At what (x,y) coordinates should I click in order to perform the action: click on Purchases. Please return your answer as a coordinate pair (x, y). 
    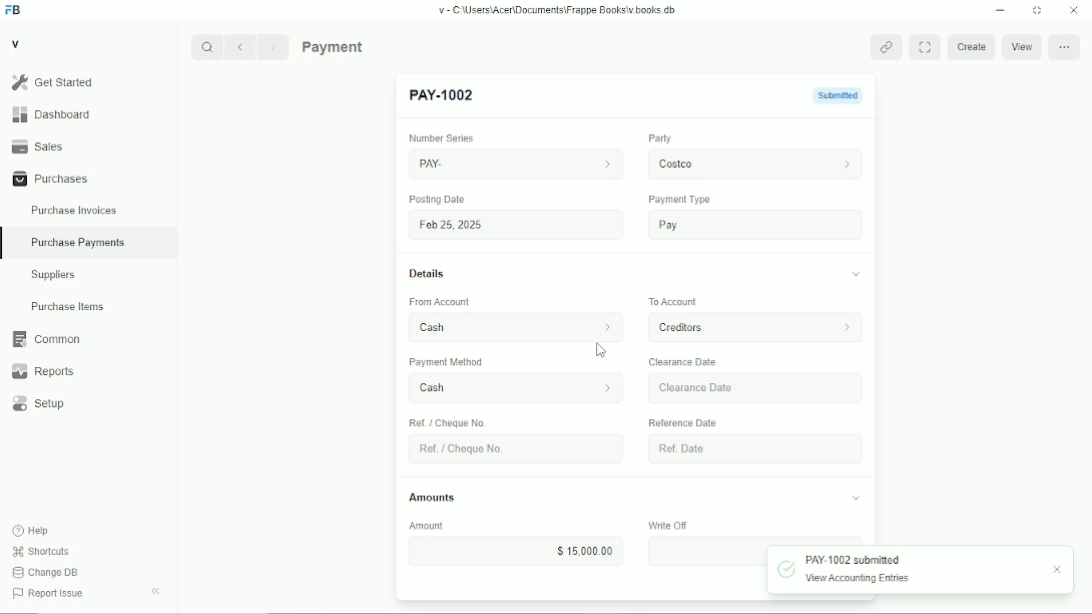
    Looking at the image, I should click on (88, 178).